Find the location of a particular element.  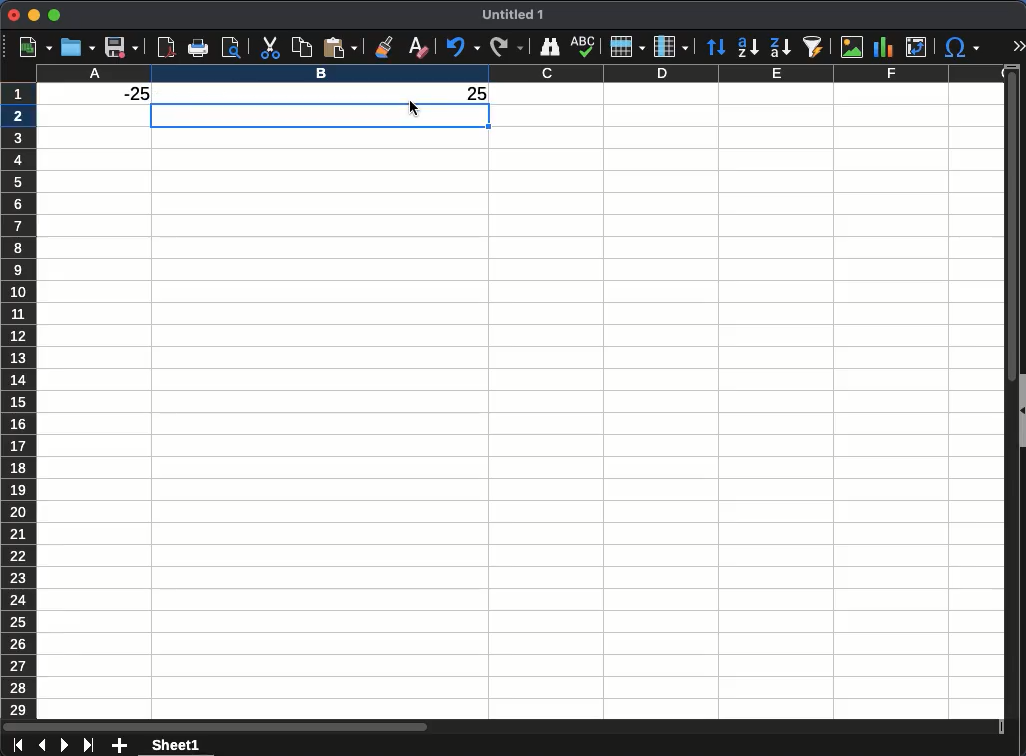

clone formatting  is located at coordinates (382, 47).